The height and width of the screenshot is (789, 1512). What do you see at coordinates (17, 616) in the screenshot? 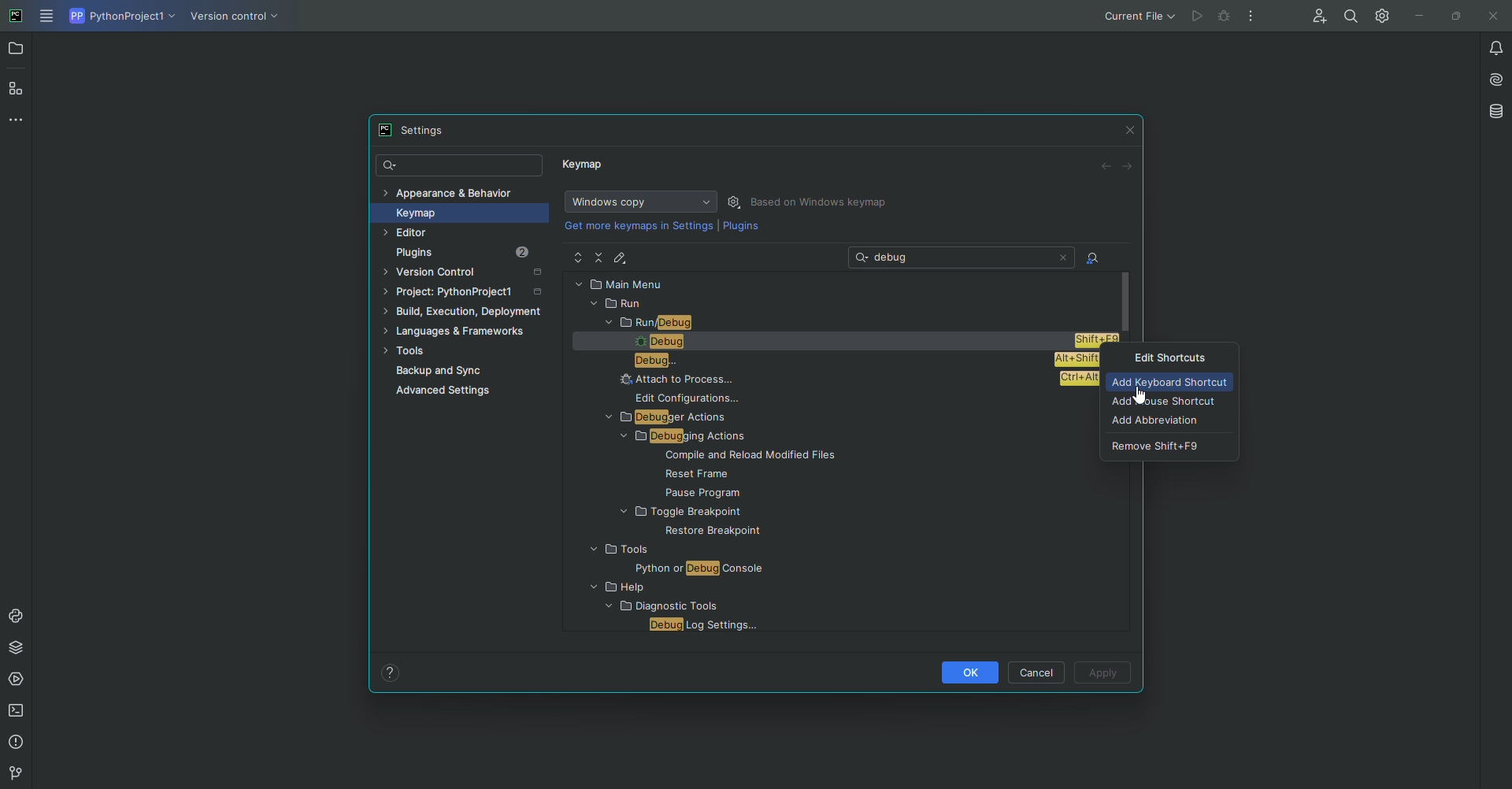
I see `Console` at bounding box center [17, 616].